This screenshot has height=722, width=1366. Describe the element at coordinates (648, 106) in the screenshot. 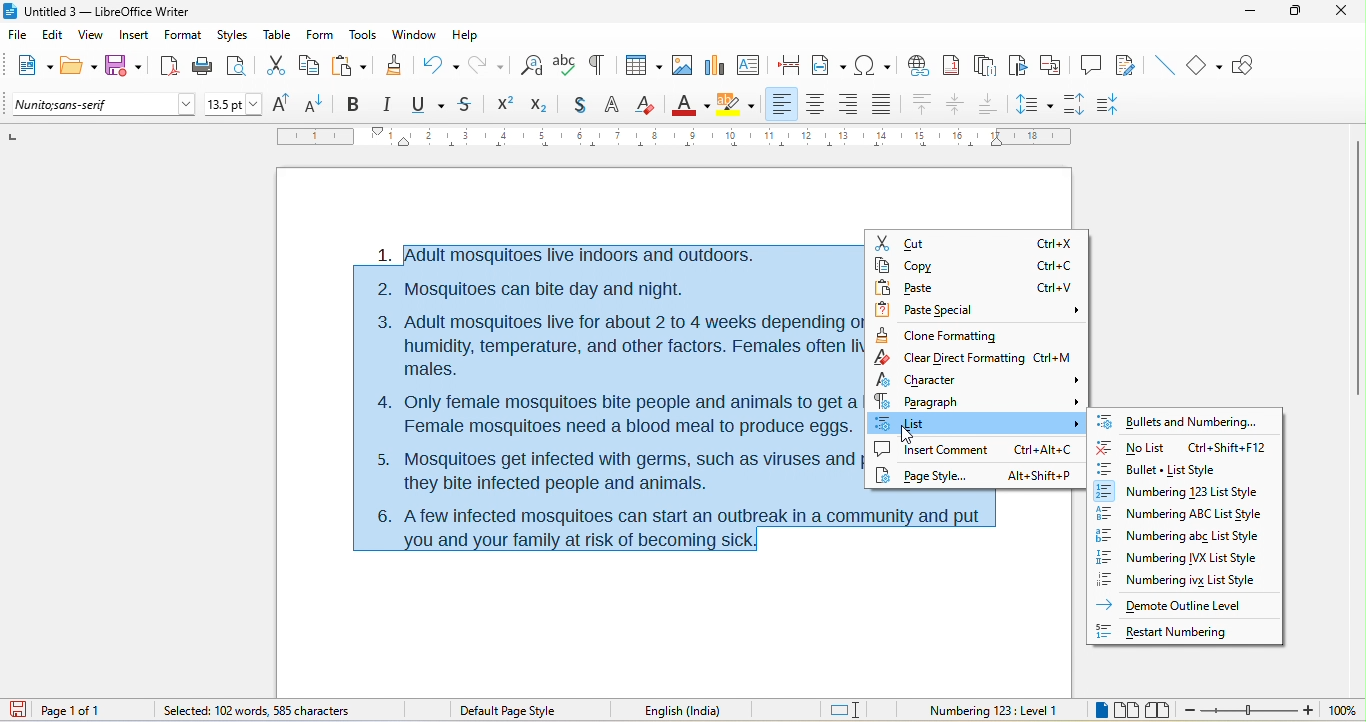

I see `clear direct formatting` at that location.